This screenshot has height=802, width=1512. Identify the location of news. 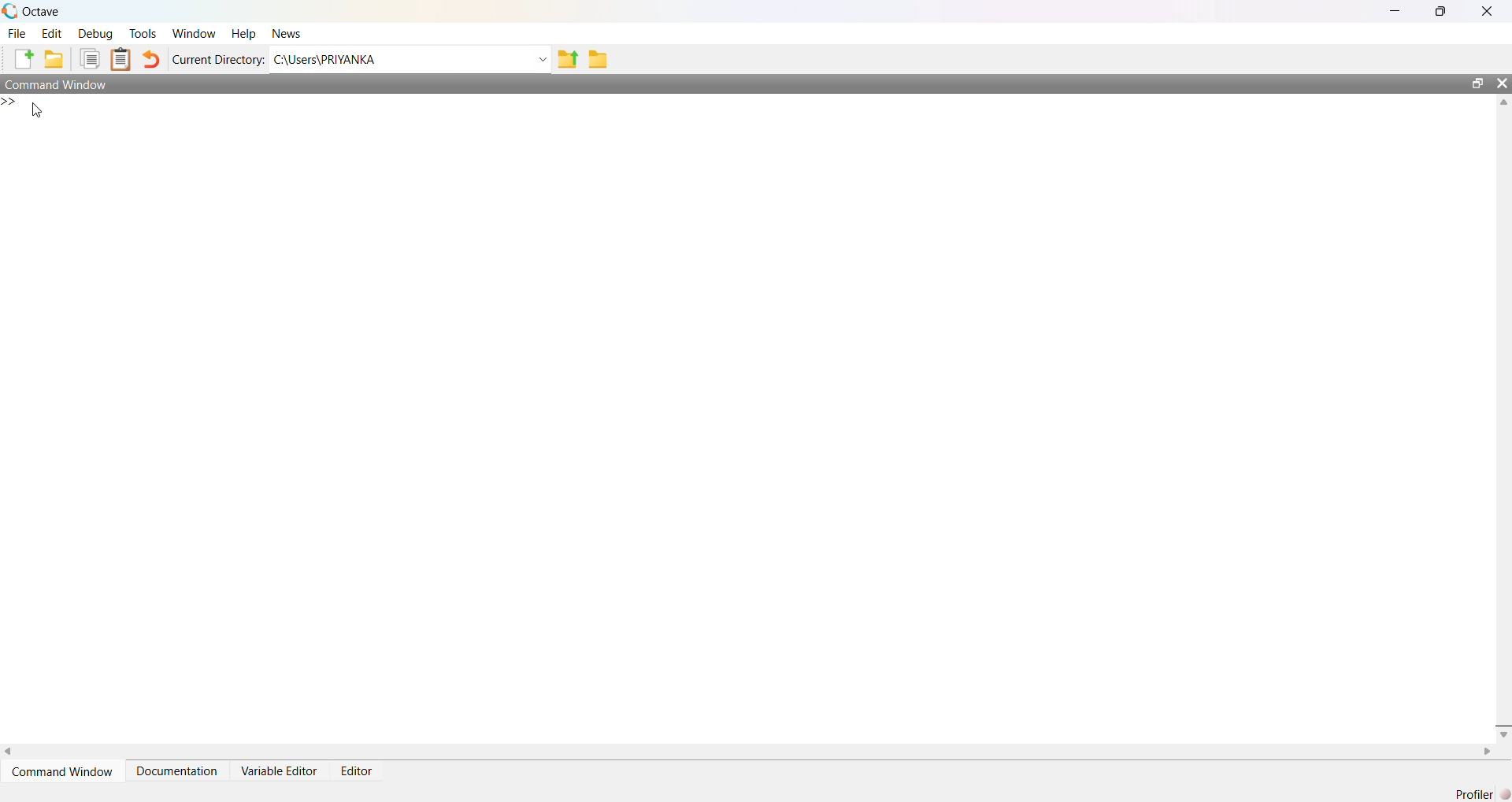
(286, 34).